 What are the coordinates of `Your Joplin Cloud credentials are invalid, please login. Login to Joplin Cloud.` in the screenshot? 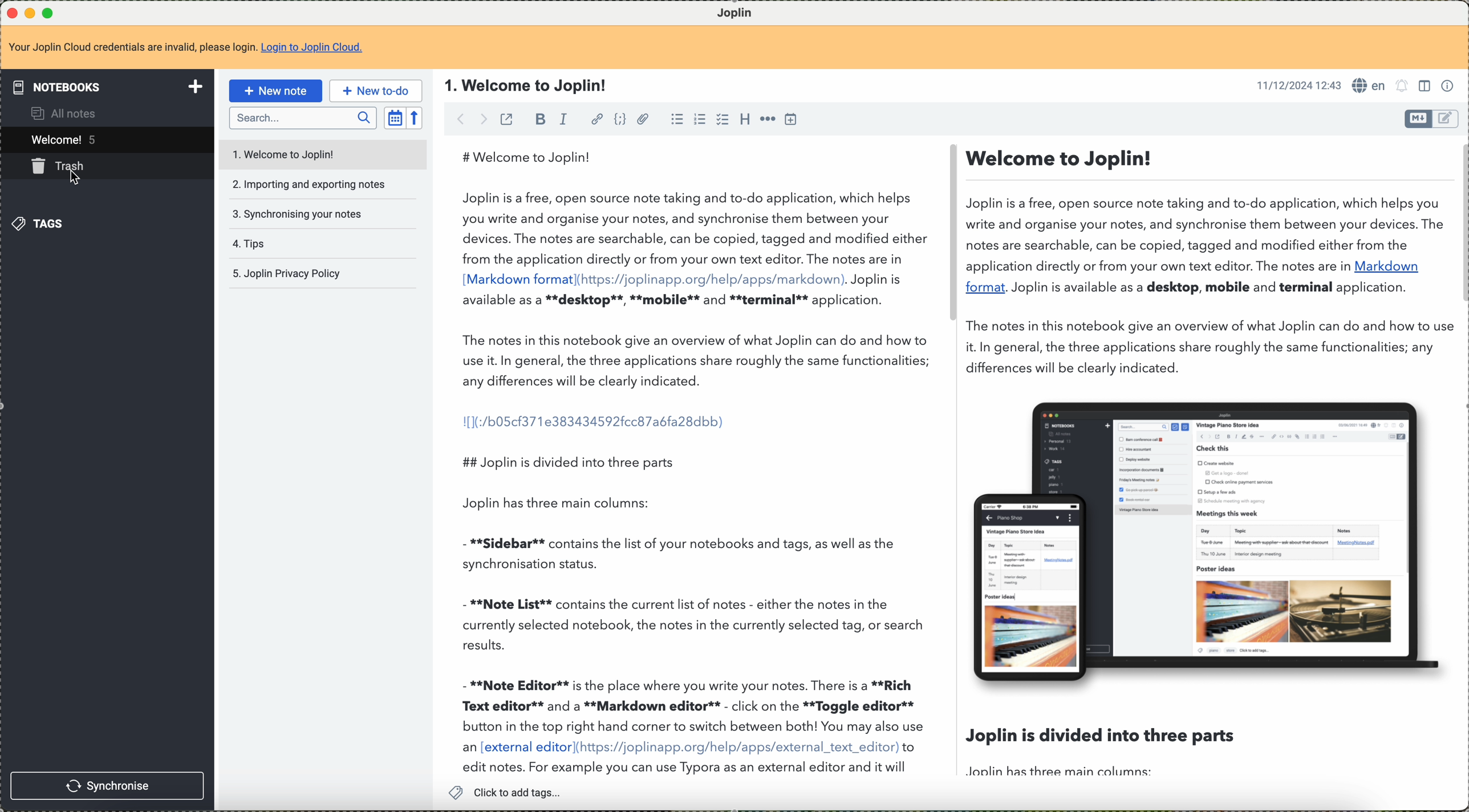 It's located at (197, 47).